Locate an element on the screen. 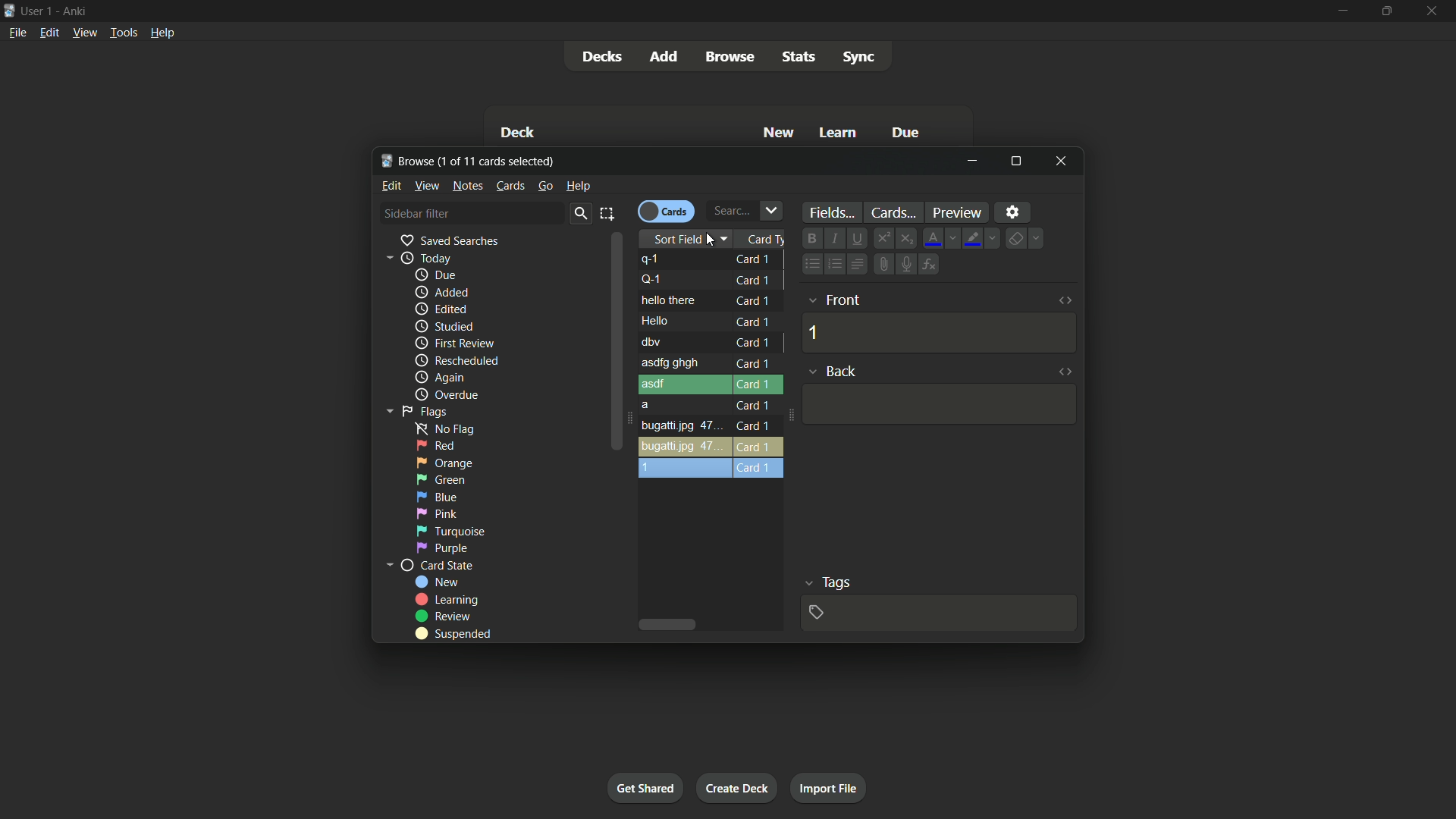 Image resolution: width=1456 pixels, height=819 pixels. maximize is located at coordinates (1015, 162).